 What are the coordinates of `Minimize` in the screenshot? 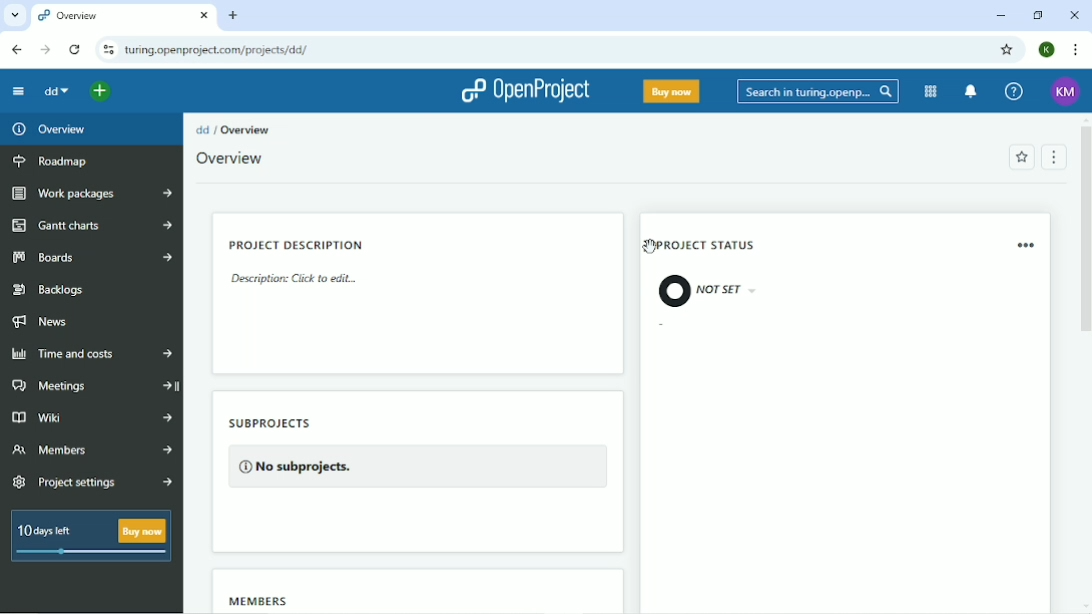 It's located at (1002, 15).